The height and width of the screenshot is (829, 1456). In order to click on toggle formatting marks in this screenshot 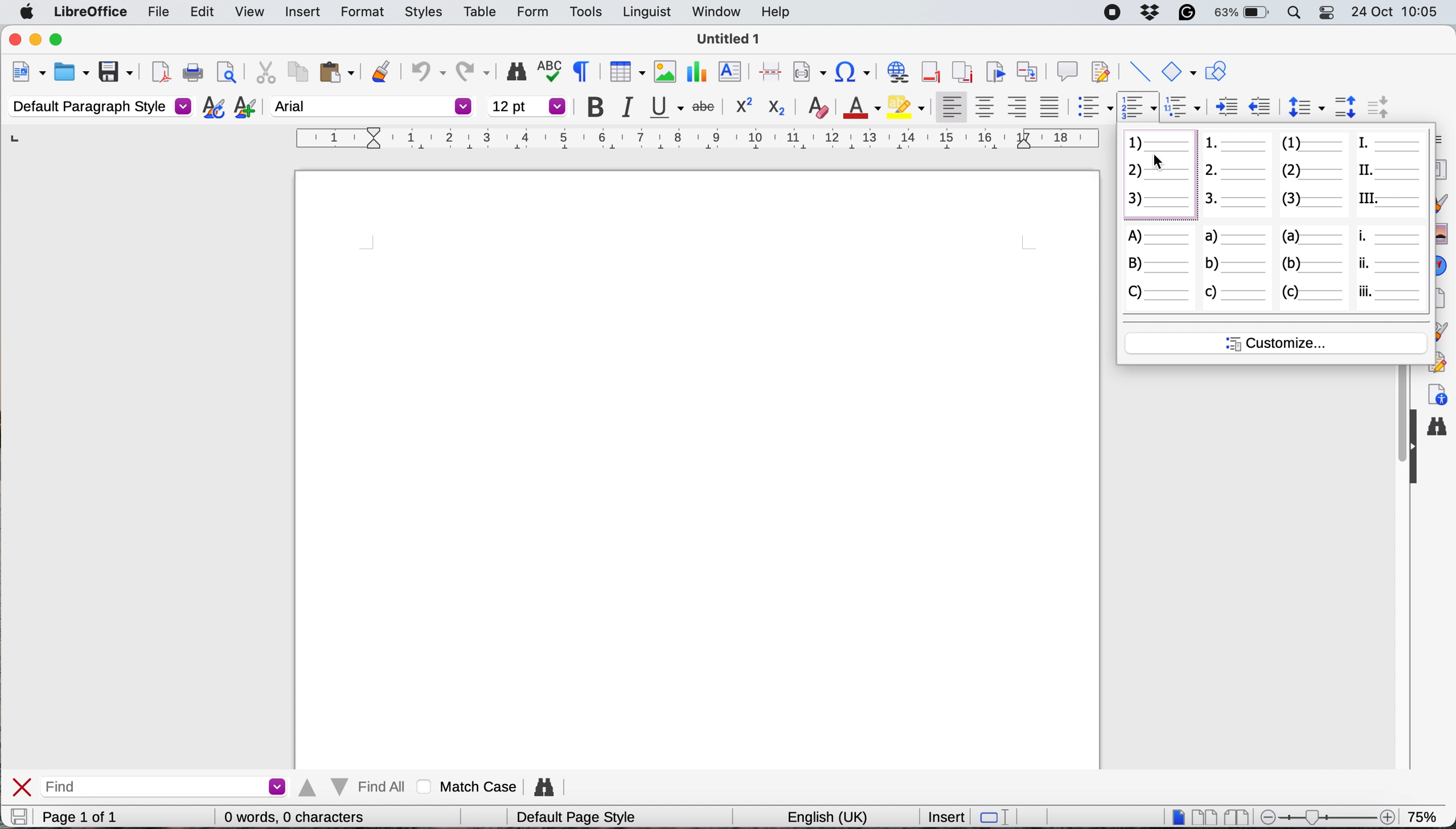, I will do `click(585, 71)`.